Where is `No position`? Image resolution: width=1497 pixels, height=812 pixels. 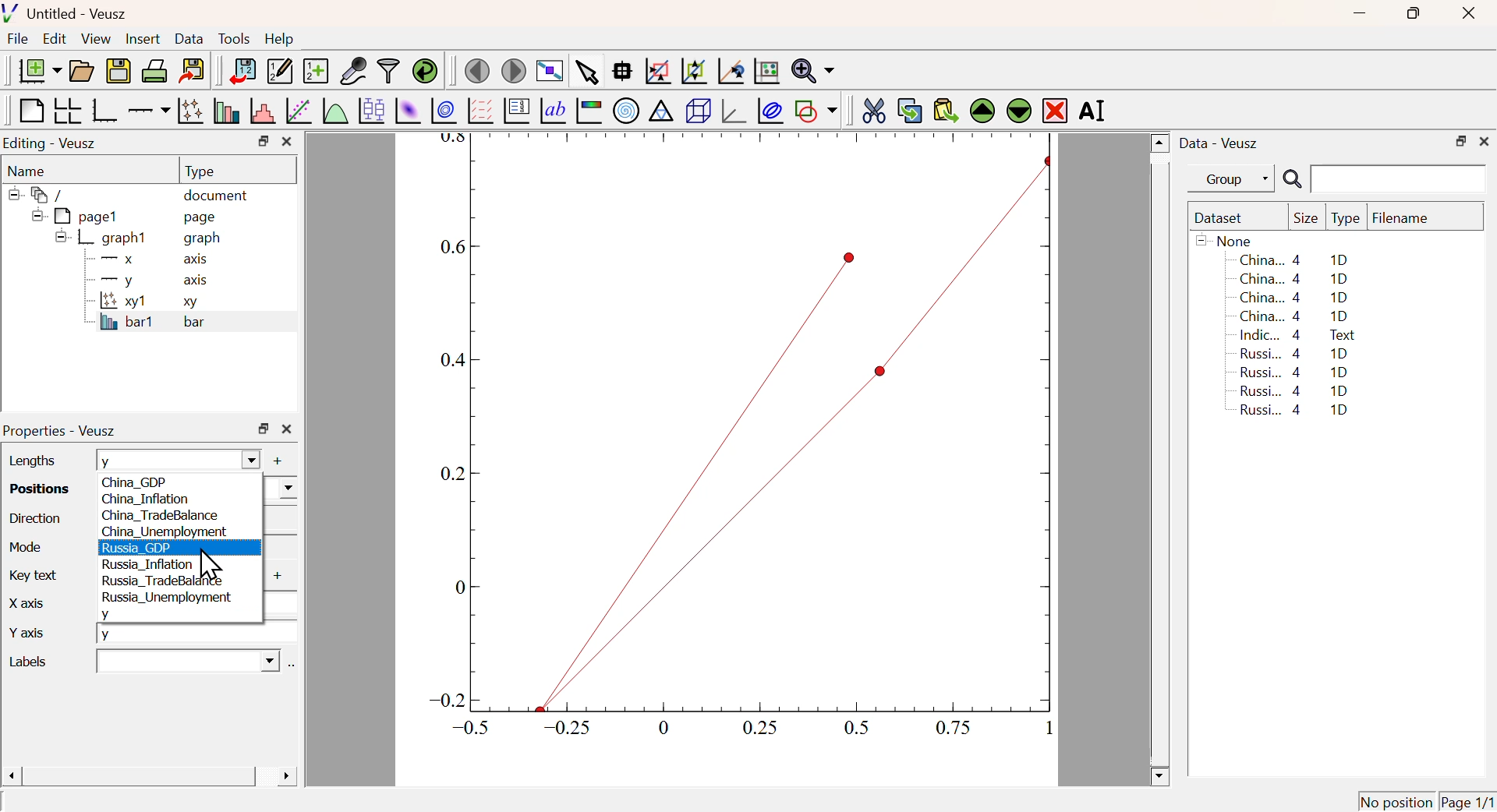 No position is located at coordinates (1396, 801).